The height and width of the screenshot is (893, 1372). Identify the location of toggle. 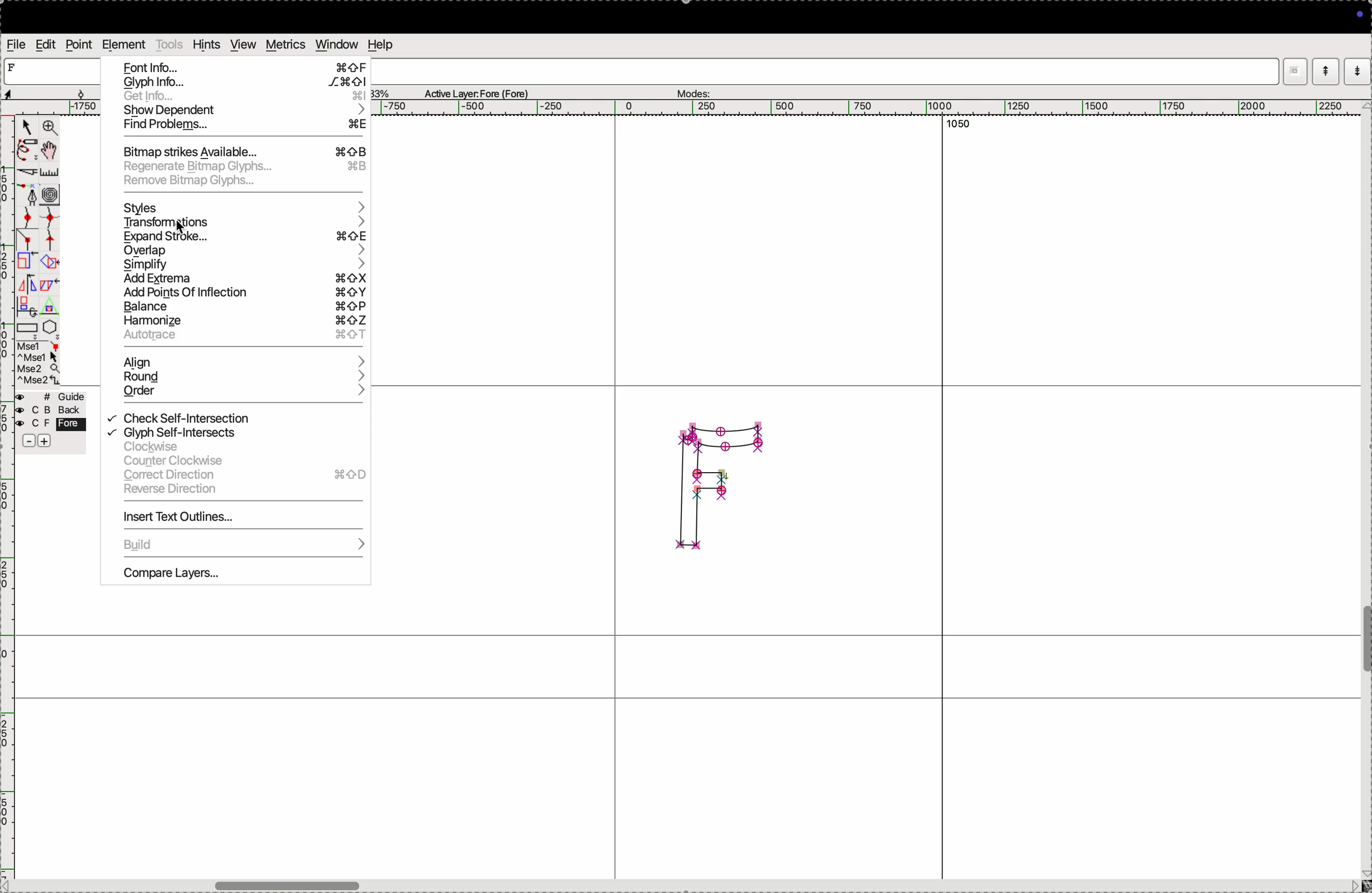
(51, 150).